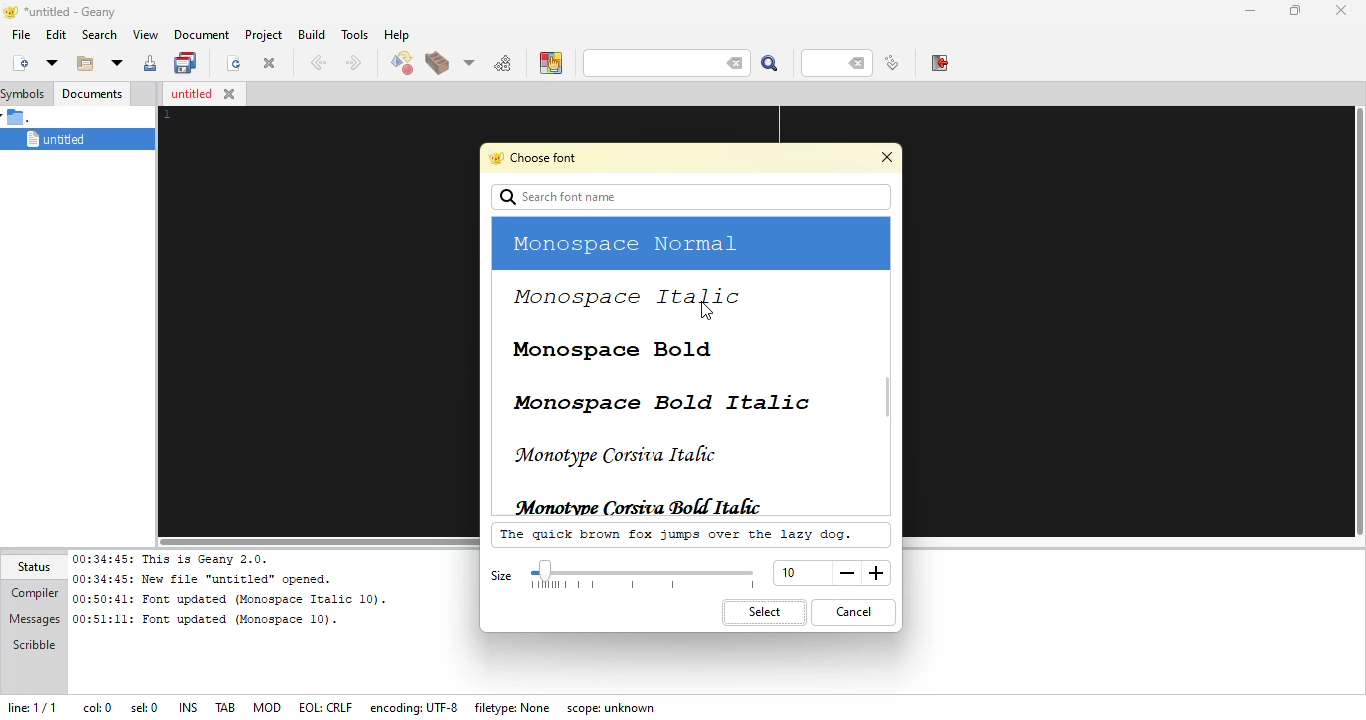  What do you see at coordinates (534, 158) in the screenshot?
I see `choose font` at bounding box center [534, 158].